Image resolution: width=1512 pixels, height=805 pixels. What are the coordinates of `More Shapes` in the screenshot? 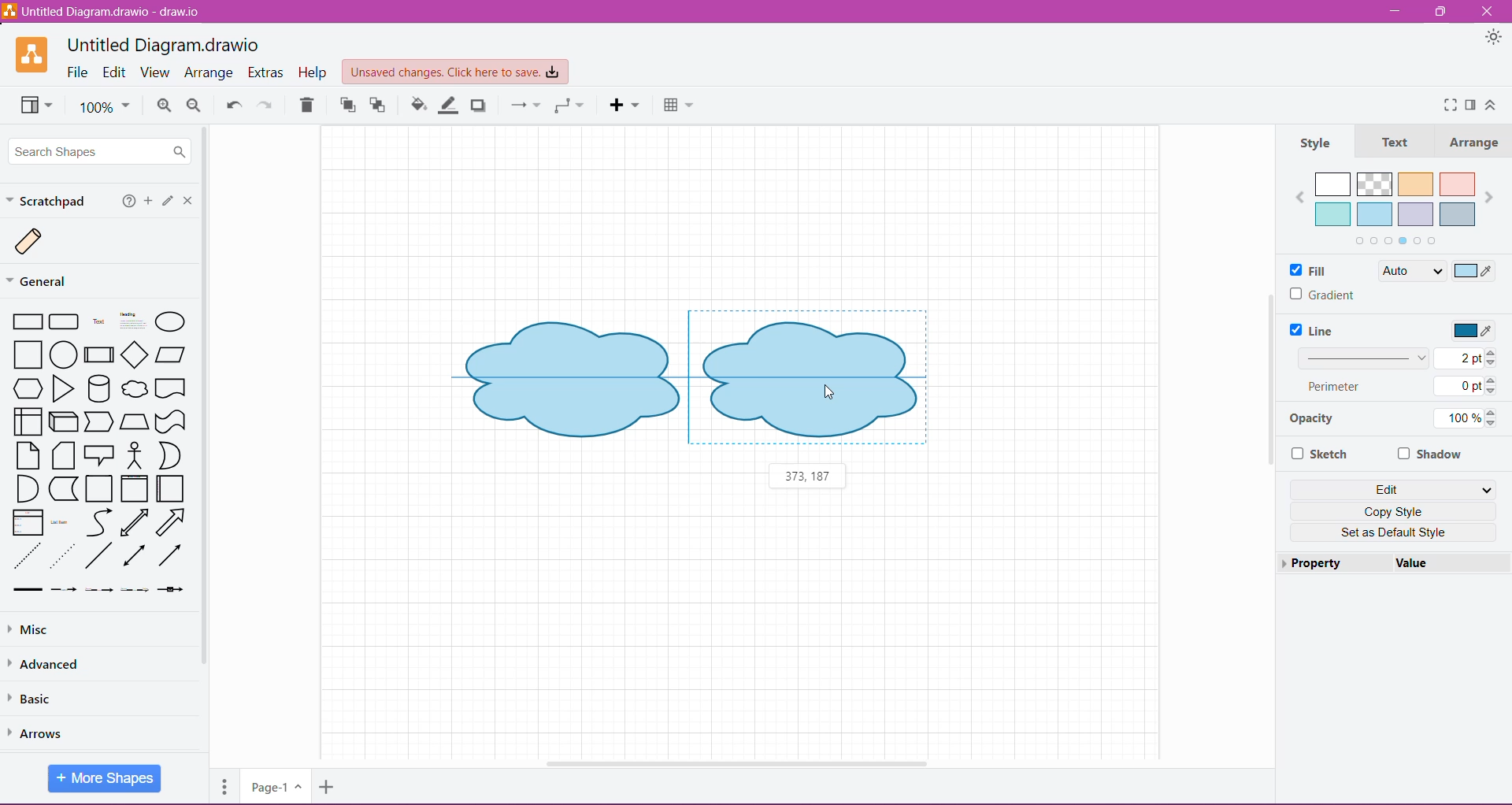 It's located at (104, 780).